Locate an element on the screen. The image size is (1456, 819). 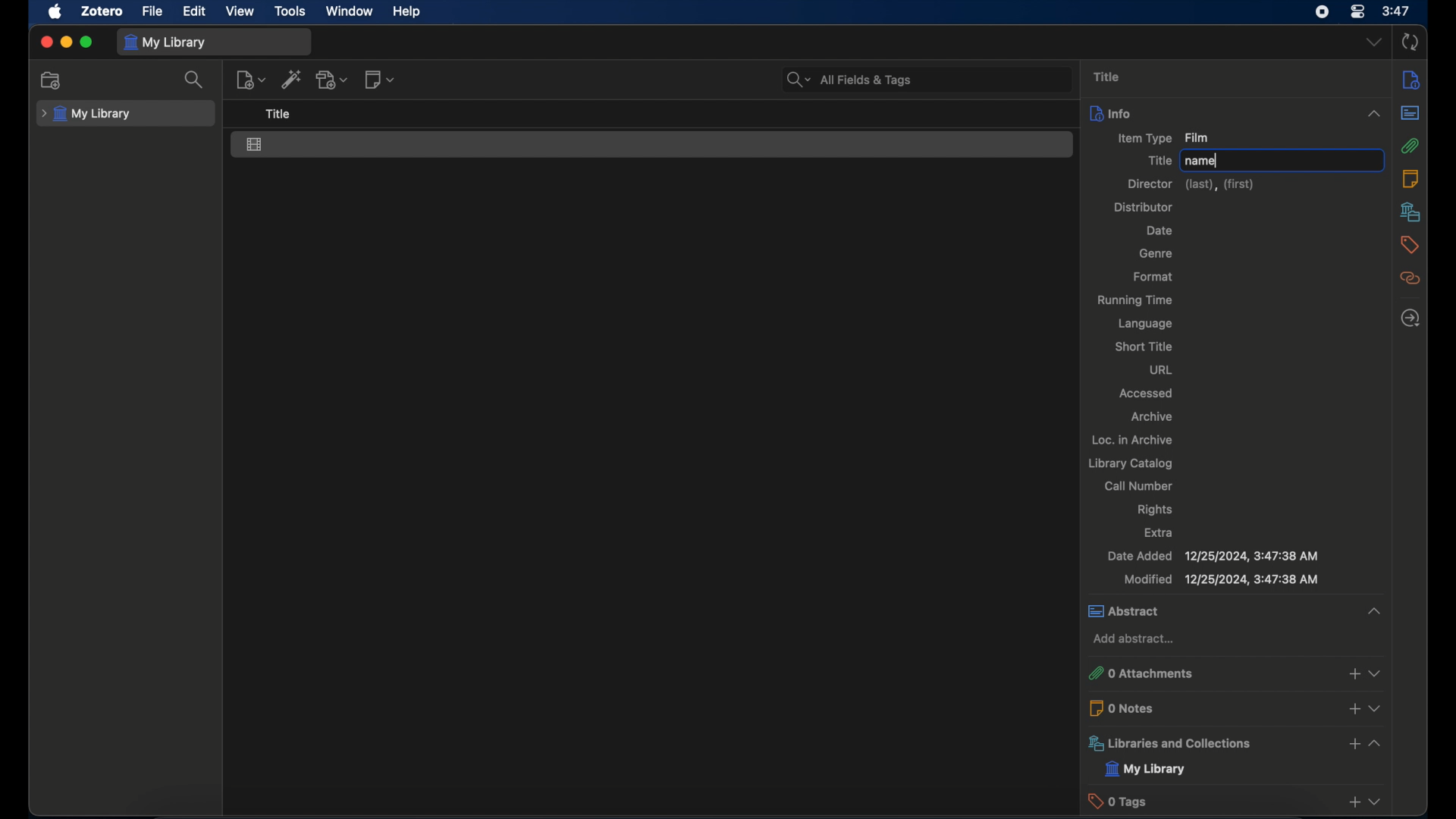
0 attachments is located at coordinates (1204, 673).